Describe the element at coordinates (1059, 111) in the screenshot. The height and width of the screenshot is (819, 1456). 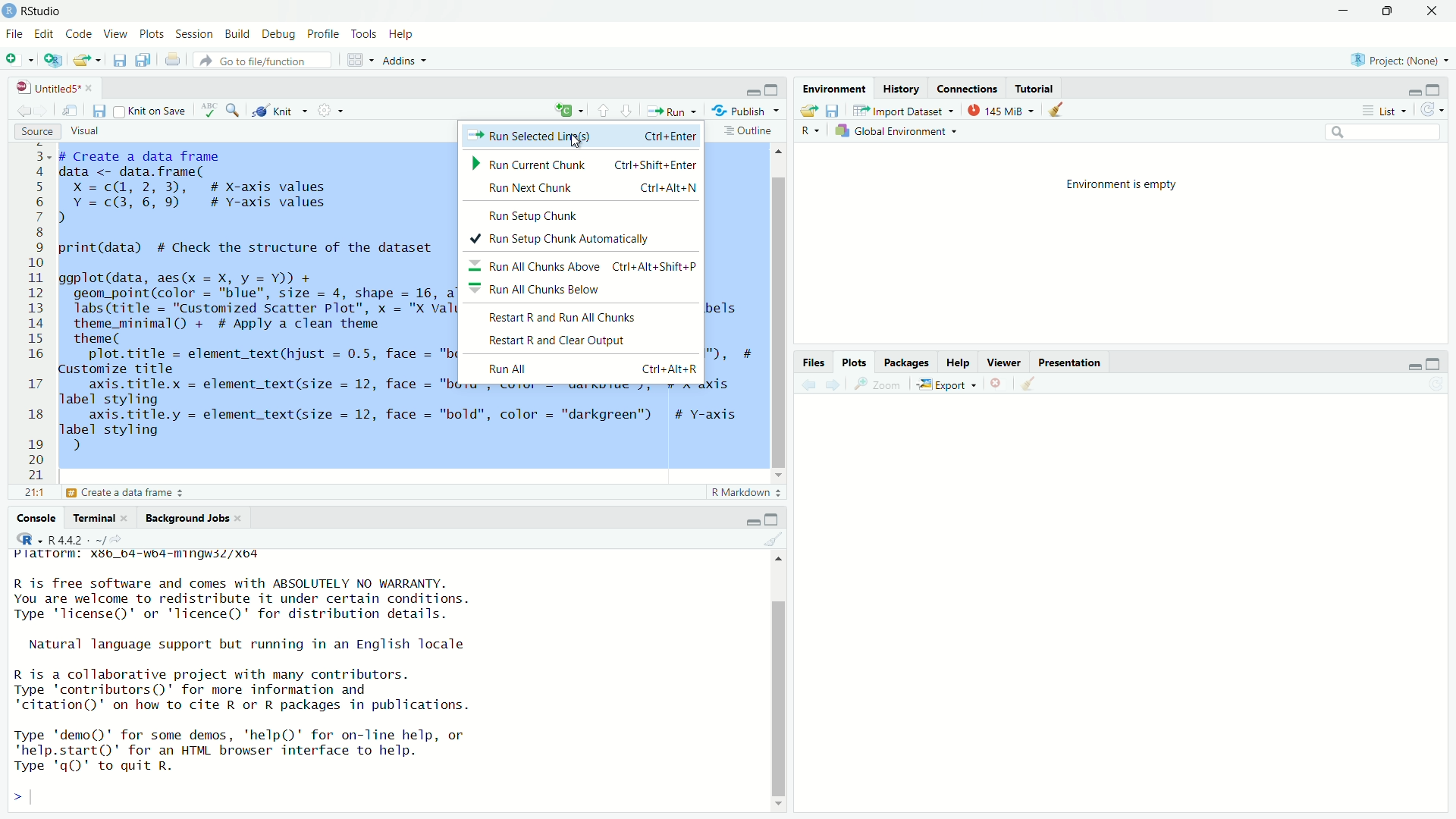
I see `Clear console` at that location.